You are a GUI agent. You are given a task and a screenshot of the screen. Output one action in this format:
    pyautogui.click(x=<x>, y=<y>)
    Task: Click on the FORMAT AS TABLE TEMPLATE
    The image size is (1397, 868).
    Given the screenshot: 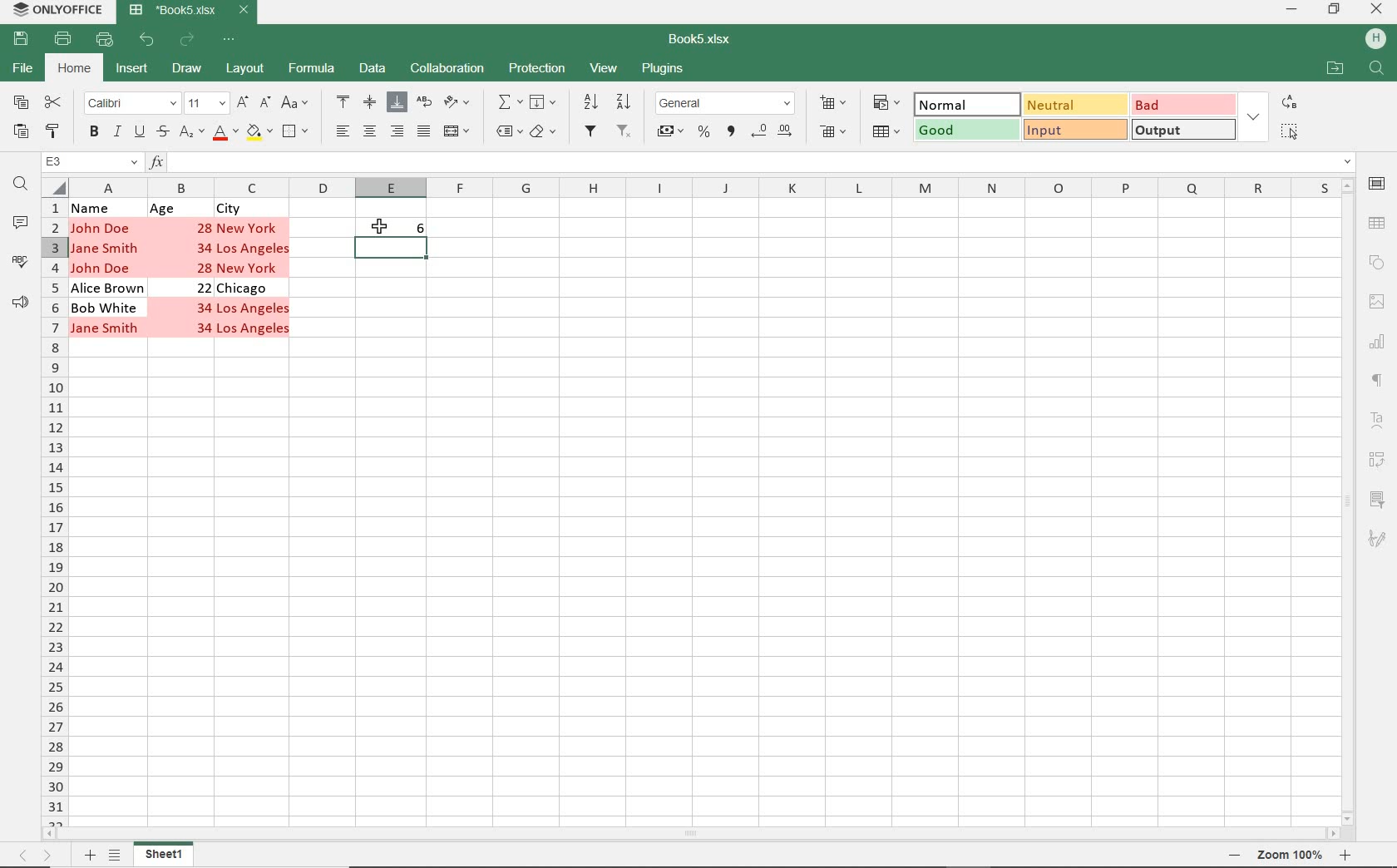 What is the action you would take?
    pyautogui.click(x=887, y=132)
    